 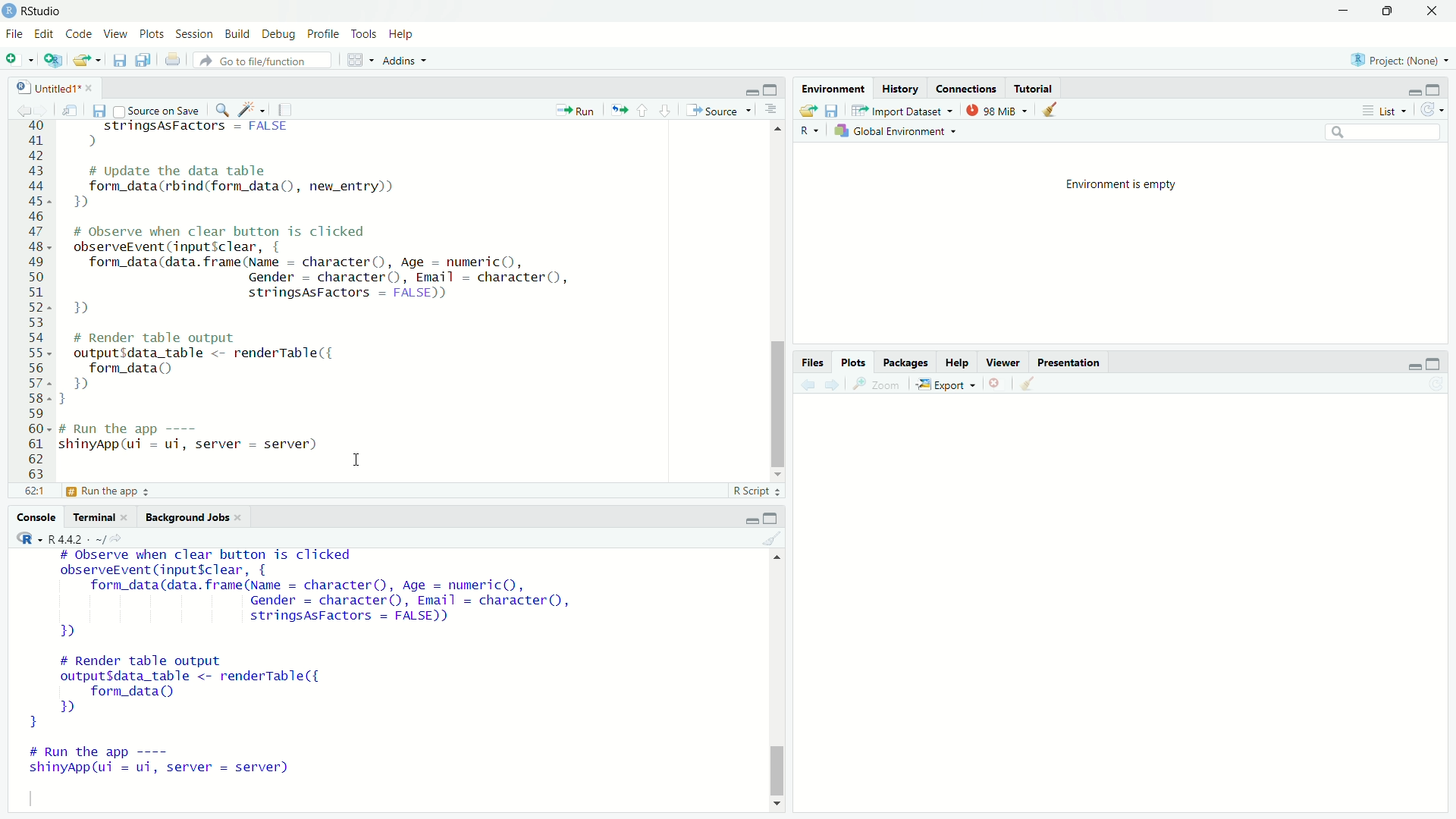 I want to click on code tools, so click(x=252, y=108).